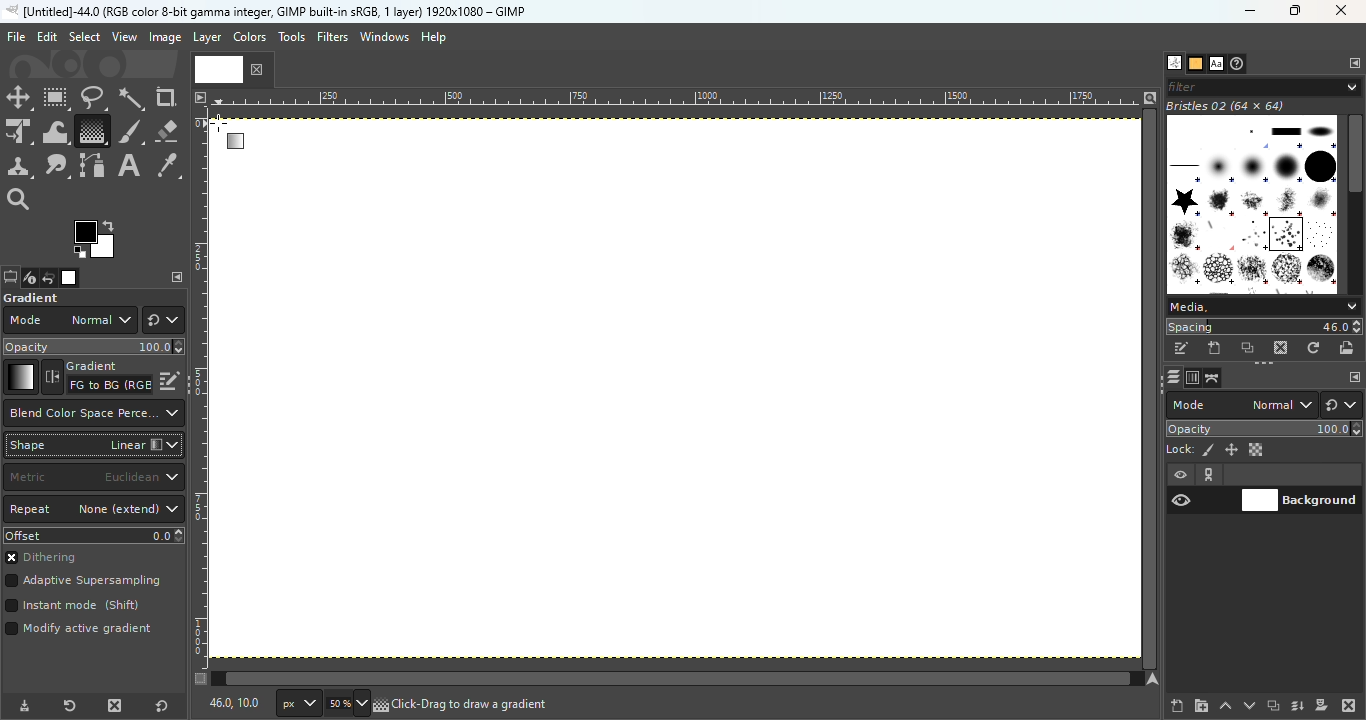  I want to click on Open the brushes dialog, so click(1174, 62).